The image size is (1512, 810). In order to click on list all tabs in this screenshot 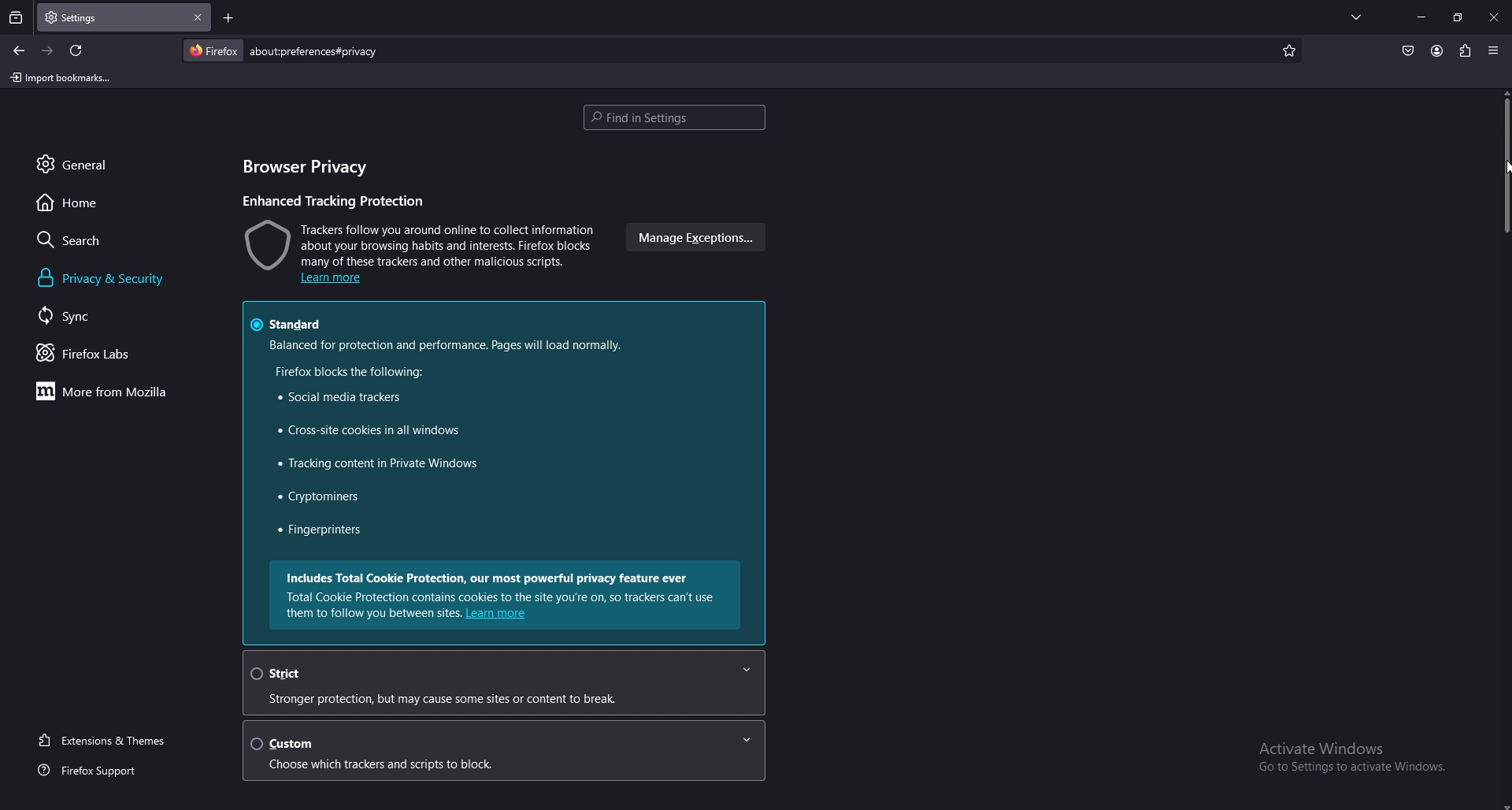, I will do `click(1356, 17)`.